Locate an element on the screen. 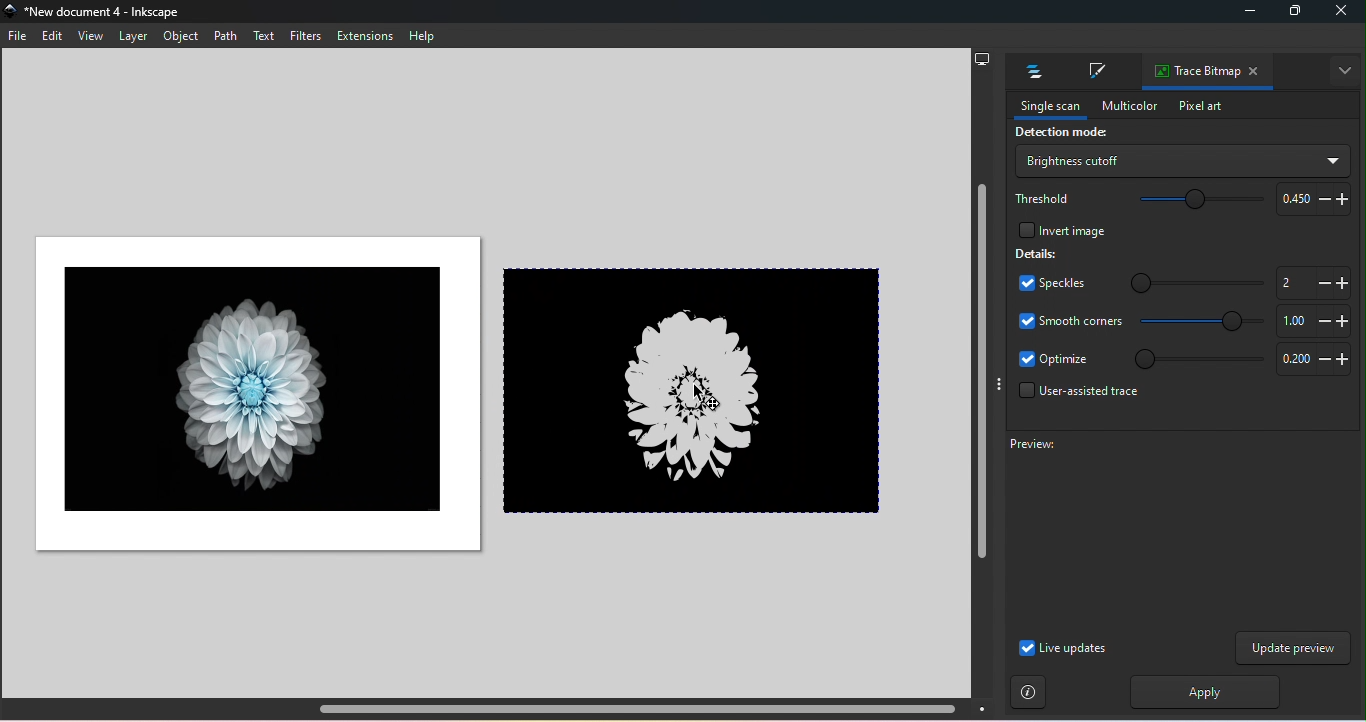 The image size is (1366, 722). Display options is located at coordinates (982, 57).